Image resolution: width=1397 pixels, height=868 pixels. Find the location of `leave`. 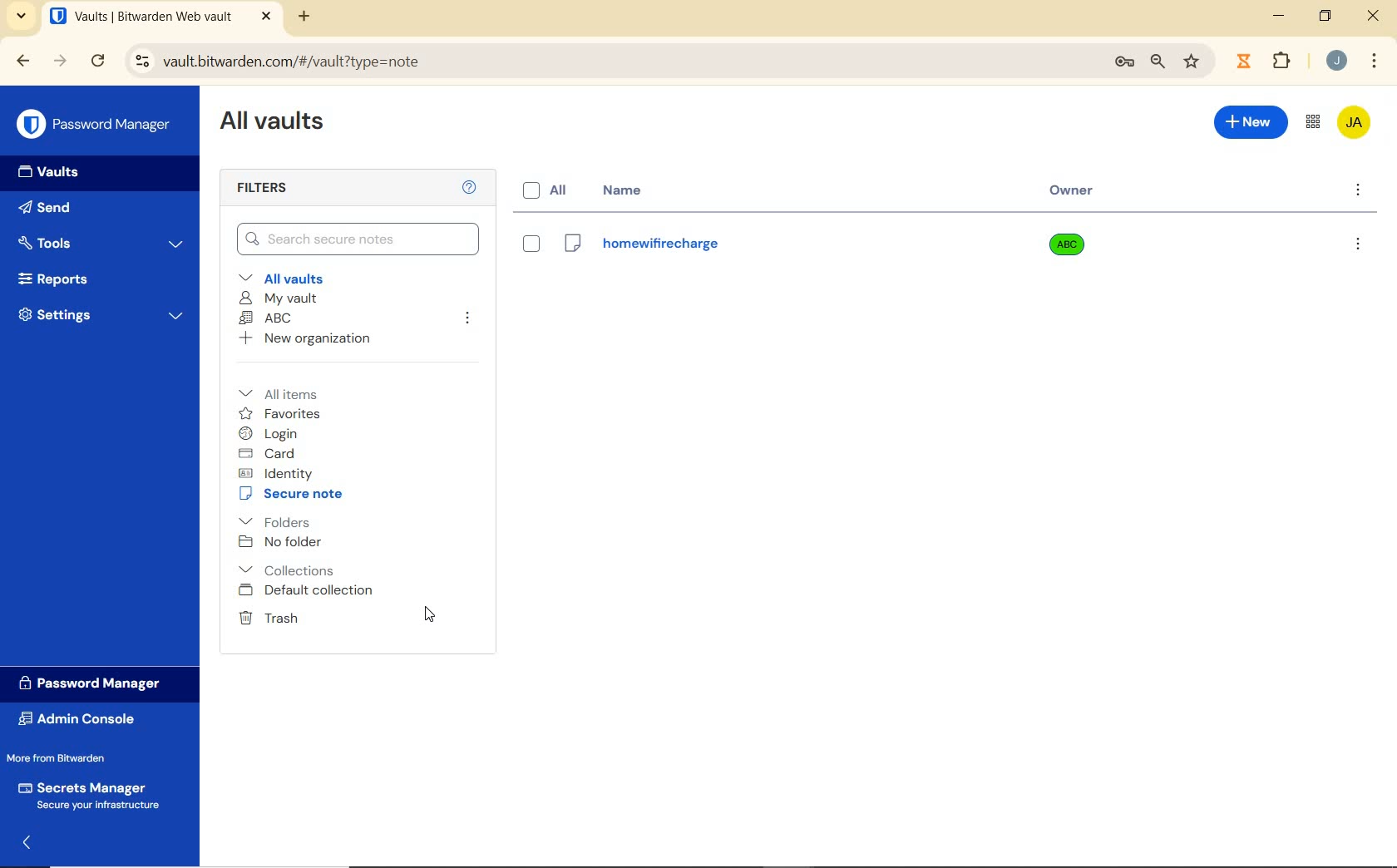

leave is located at coordinates (468, 321).